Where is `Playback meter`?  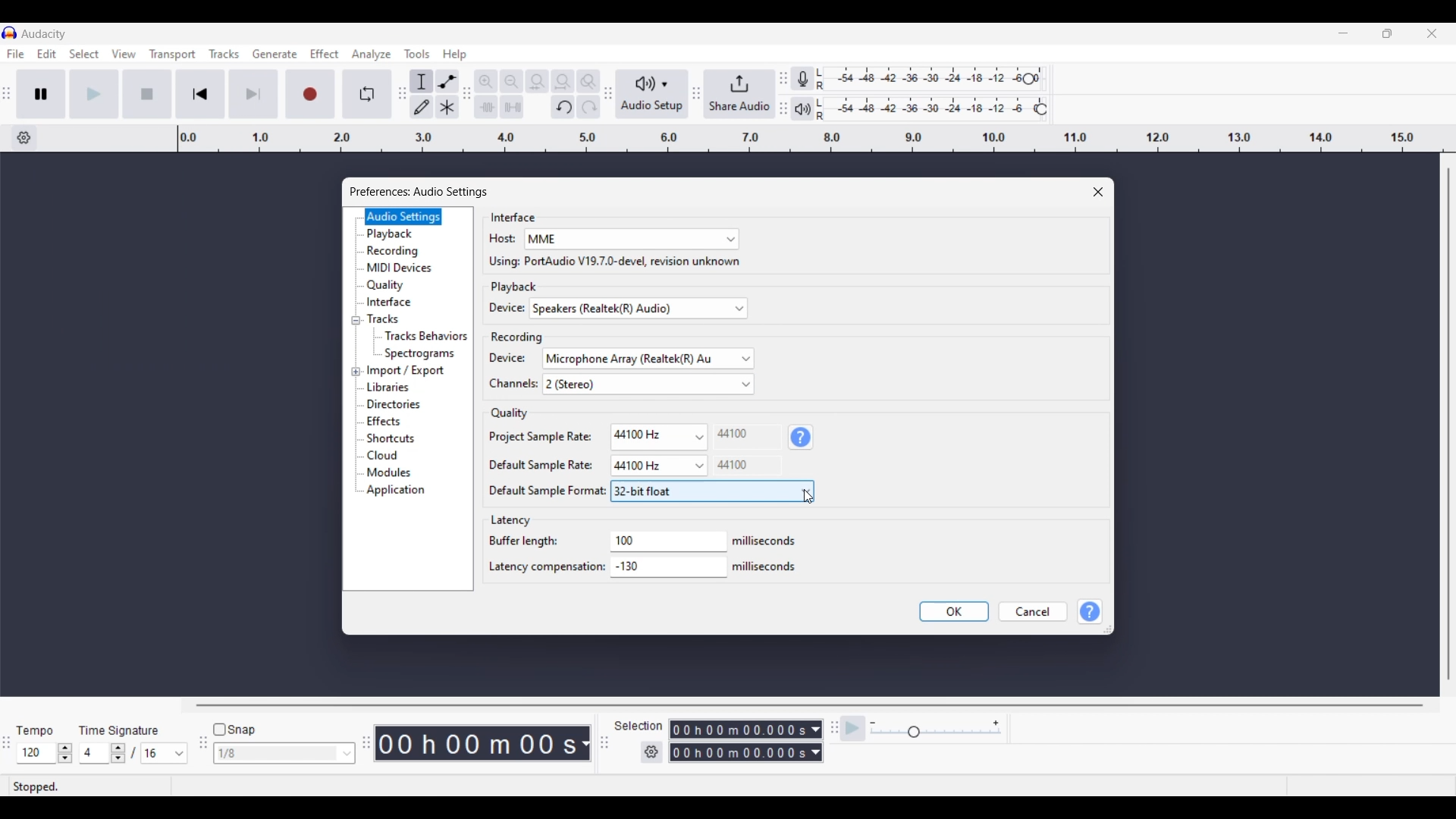 Playback meter is located at coordinates (811, 108).